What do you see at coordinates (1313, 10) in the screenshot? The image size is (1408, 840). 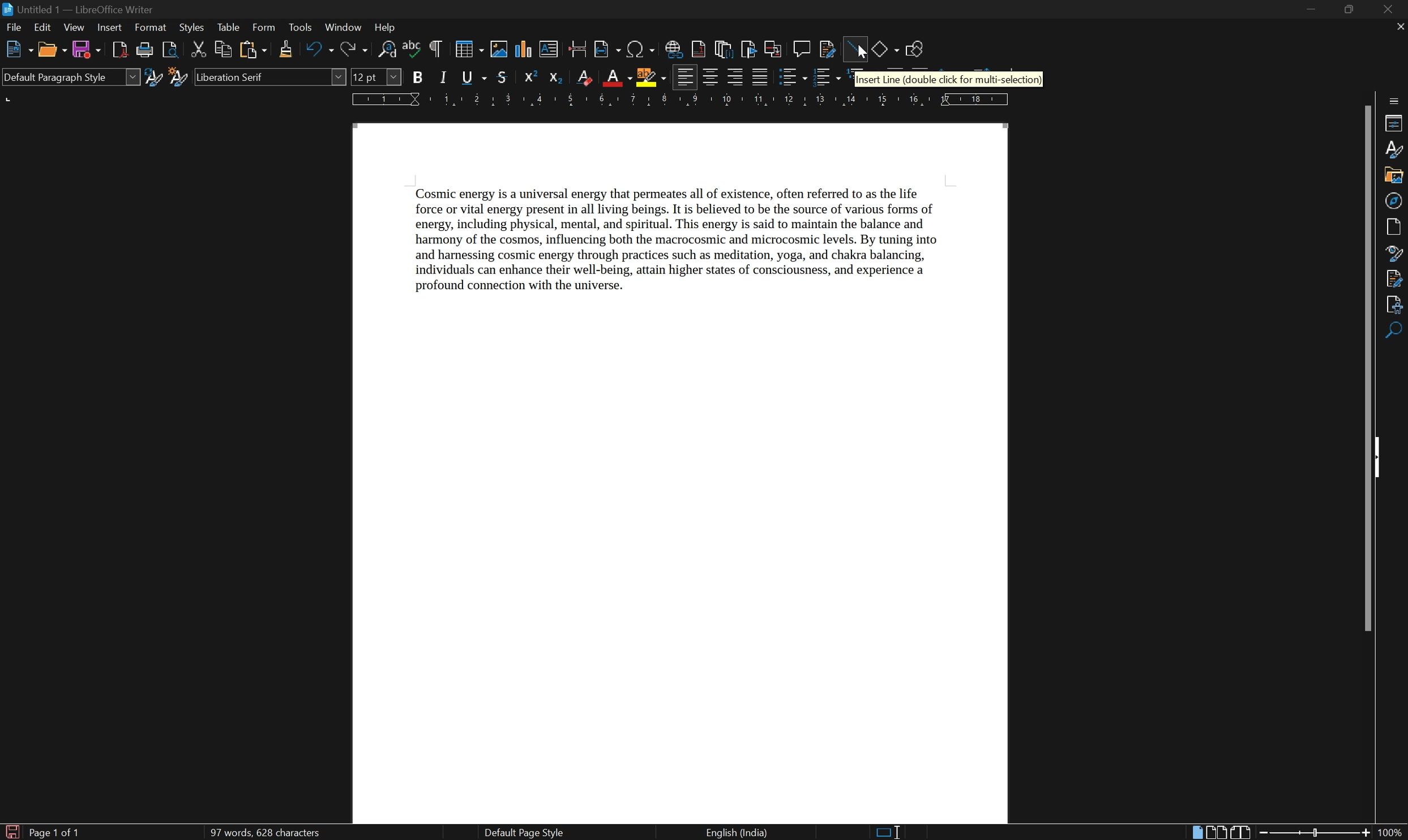 I see `minimize` at bounding box center [1313, 10].